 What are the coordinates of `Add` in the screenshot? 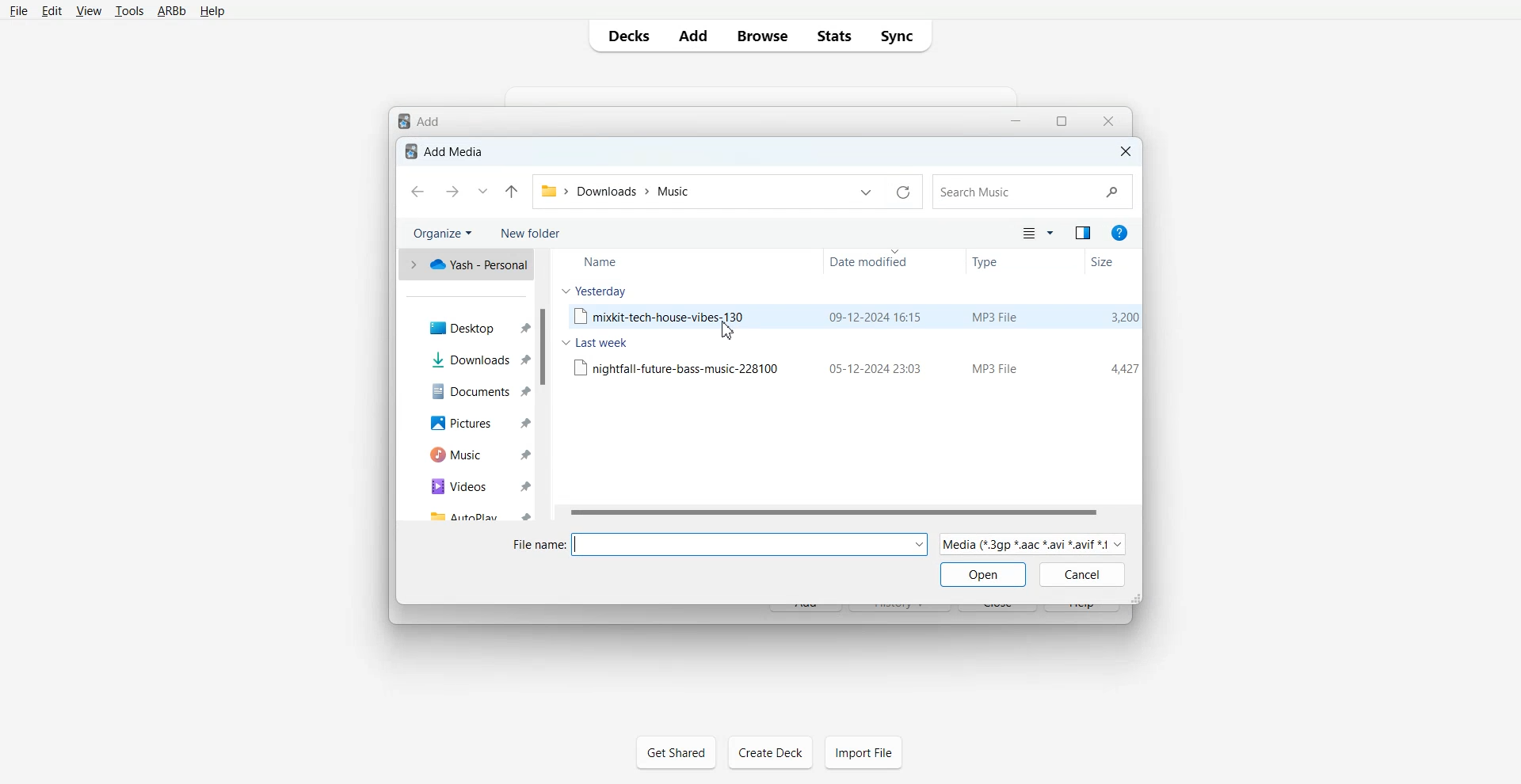 It's located at (694, 36).